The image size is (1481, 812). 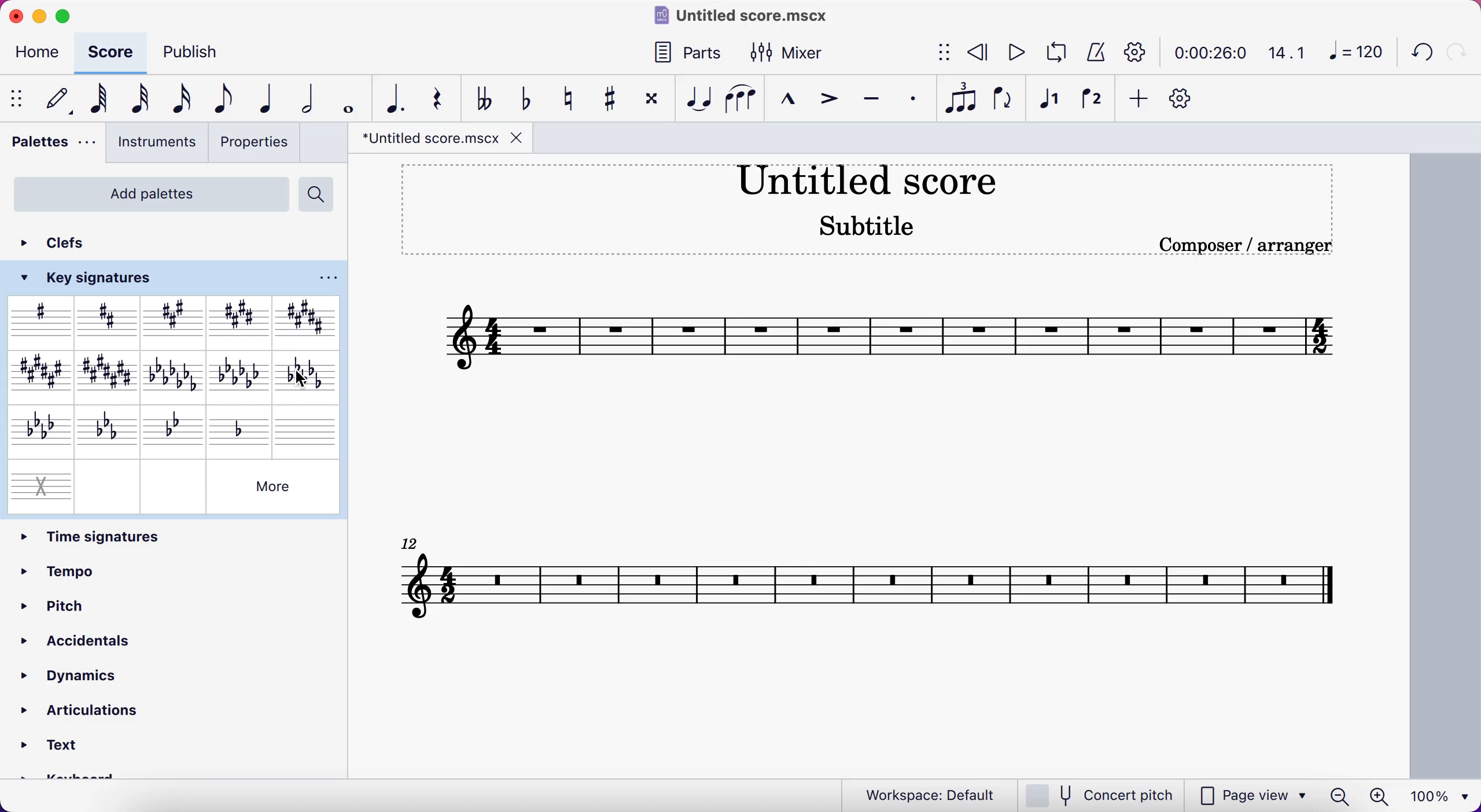 I want to click on , so click(x=414, y=541).